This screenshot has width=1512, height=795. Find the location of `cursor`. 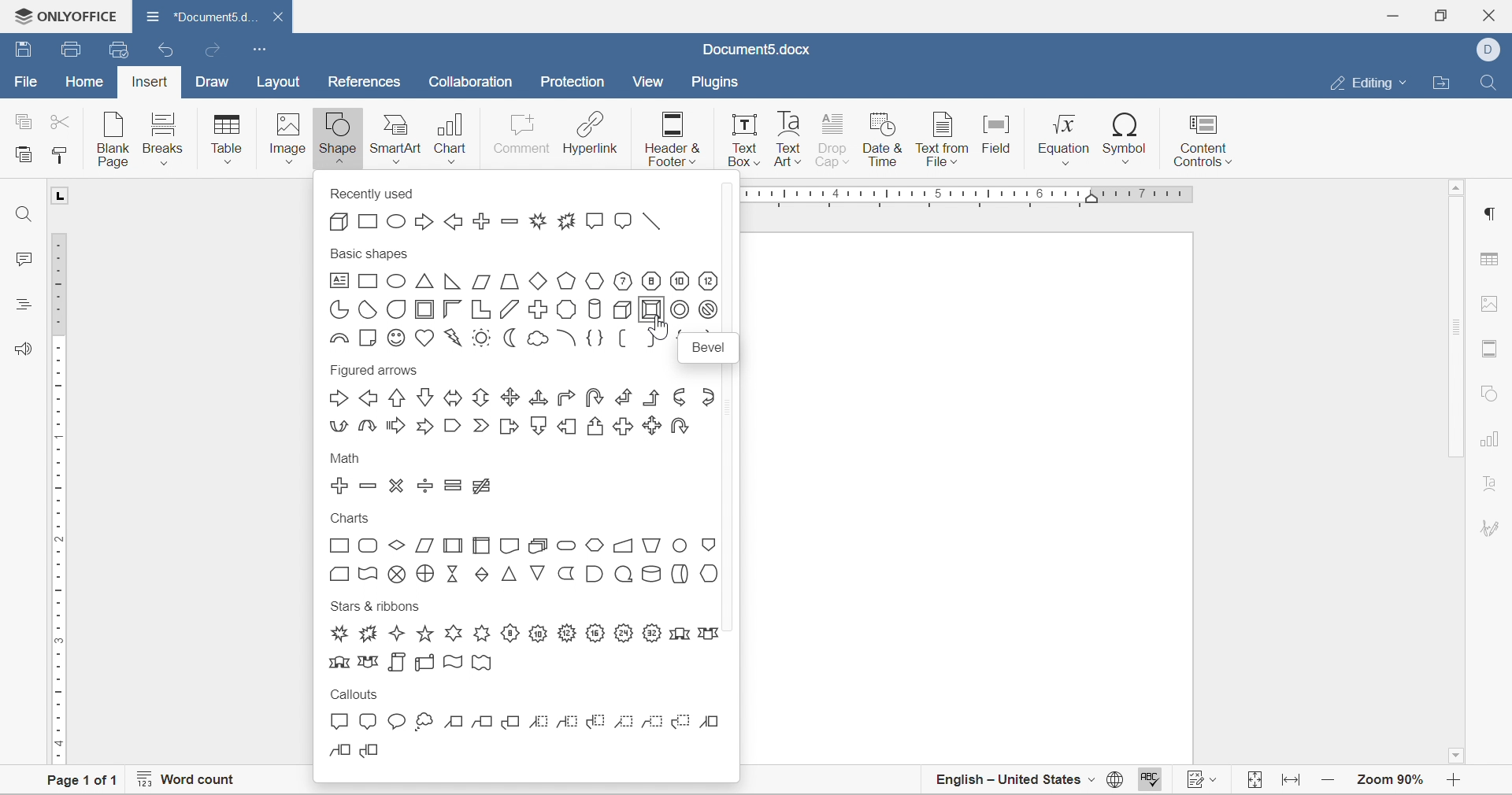

cursor is located at coordinates (661, 331).